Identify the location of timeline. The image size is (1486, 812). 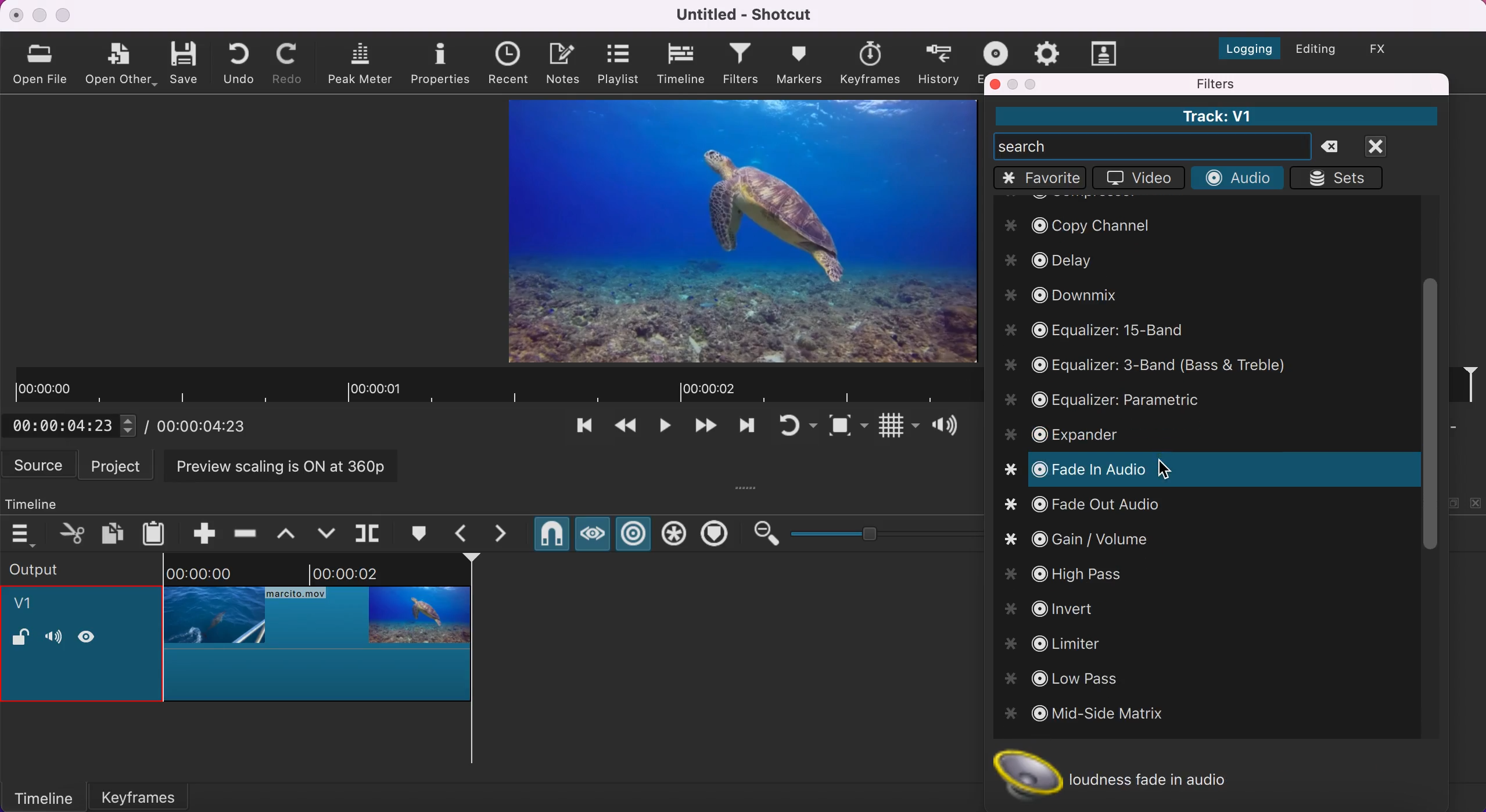
(43, 796).